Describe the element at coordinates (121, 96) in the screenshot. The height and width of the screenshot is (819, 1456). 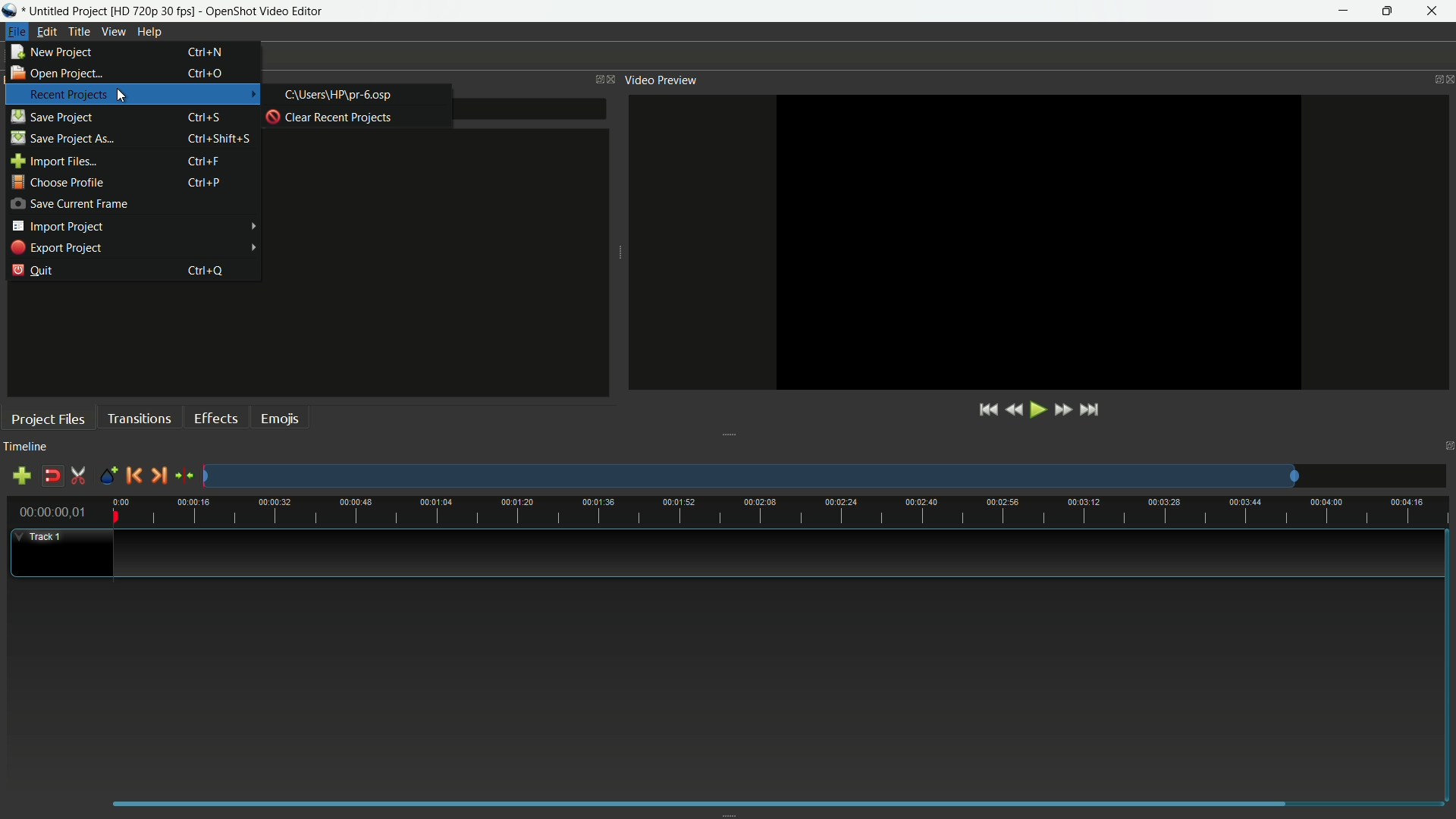
I see `cursor` at that location.